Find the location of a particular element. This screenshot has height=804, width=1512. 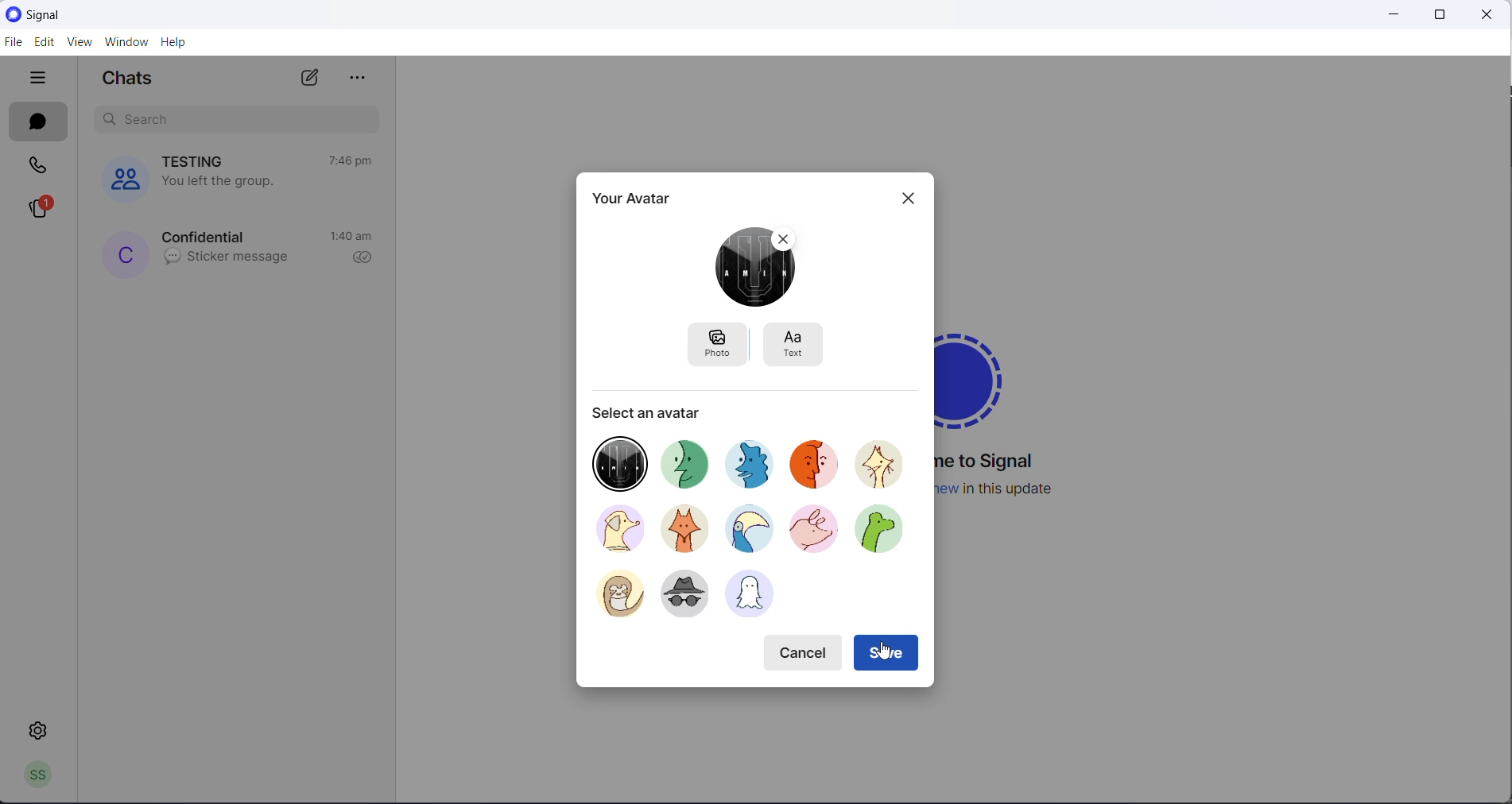

minimize is located at coordinates (1387, 14).